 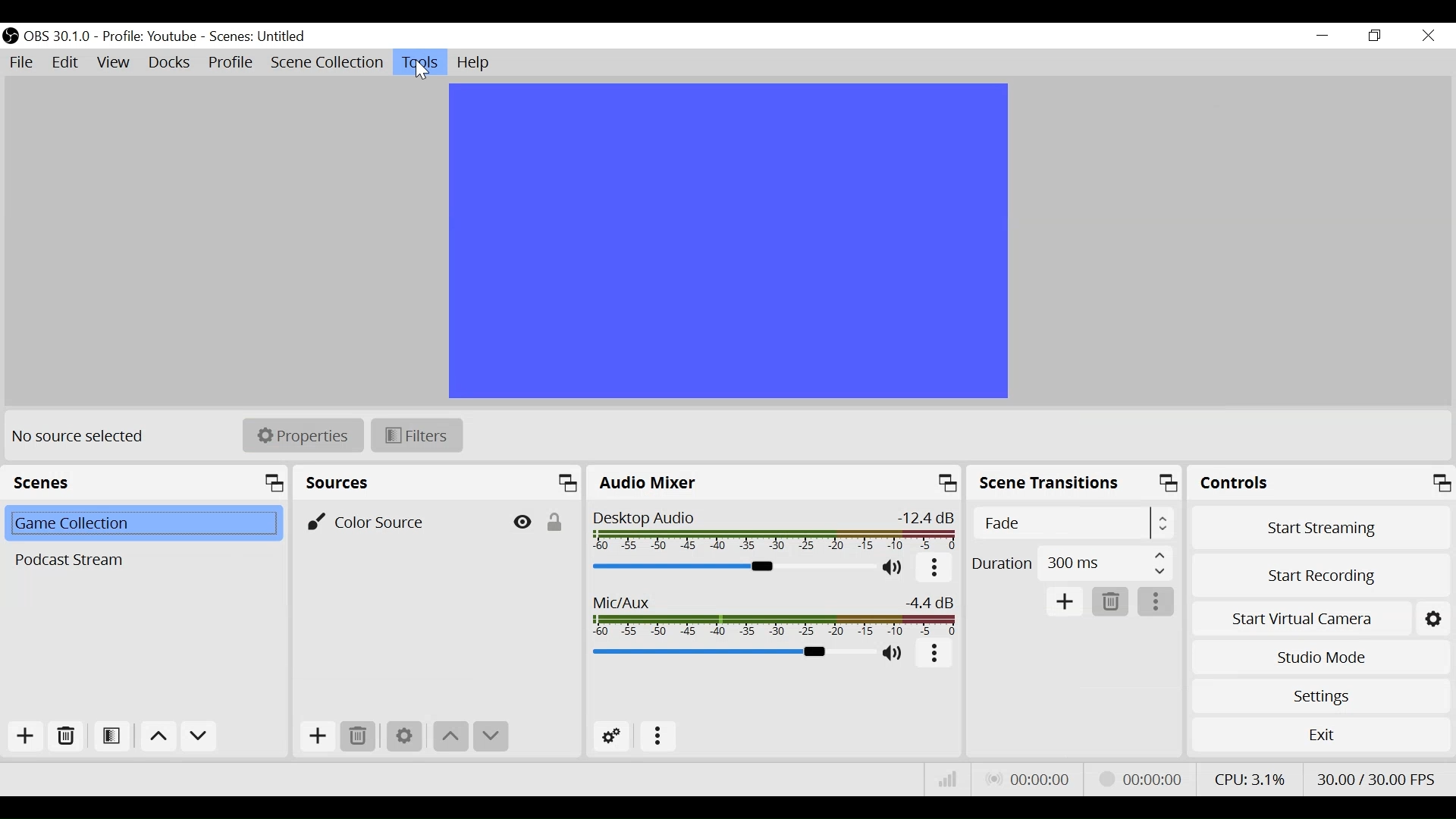 What do you see at coordinates (1377, 779) in the screenshot?
I see `Frame Per Second` at bounding box center [1377, 779].